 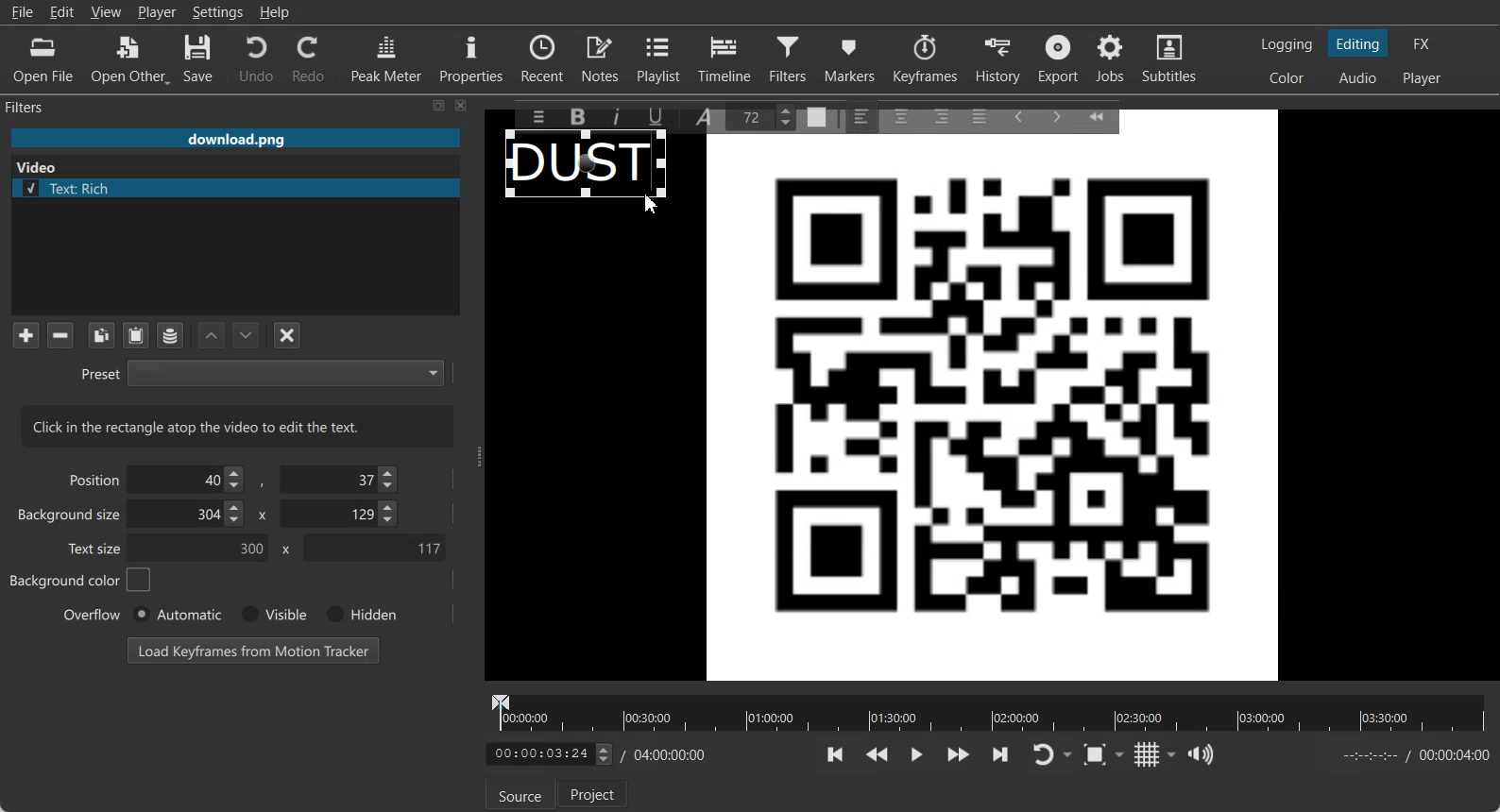 I want to click on Toggle play, so click(x=917, y=754).